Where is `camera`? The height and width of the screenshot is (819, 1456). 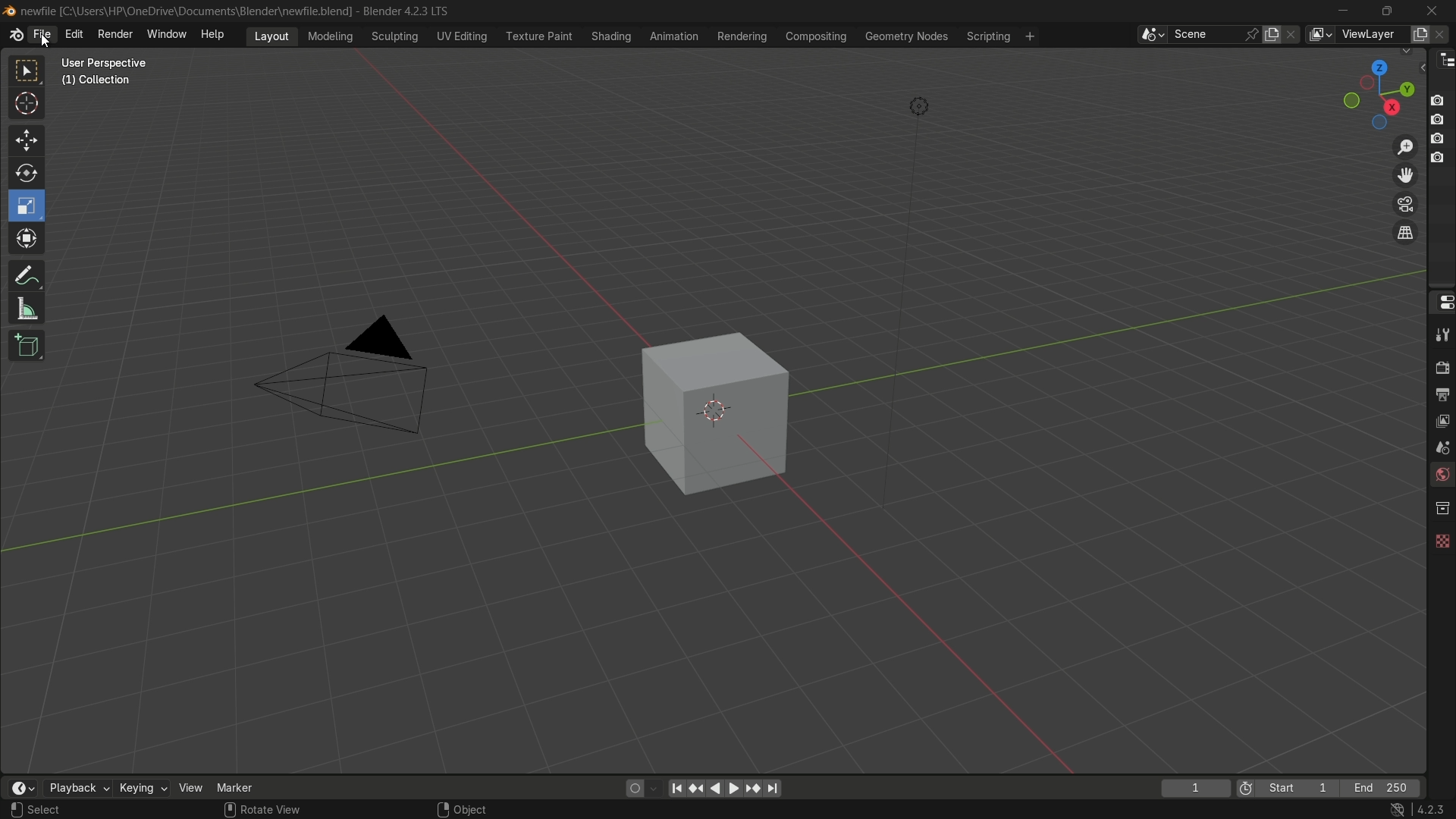
camera is located at coordinates (353, 377).